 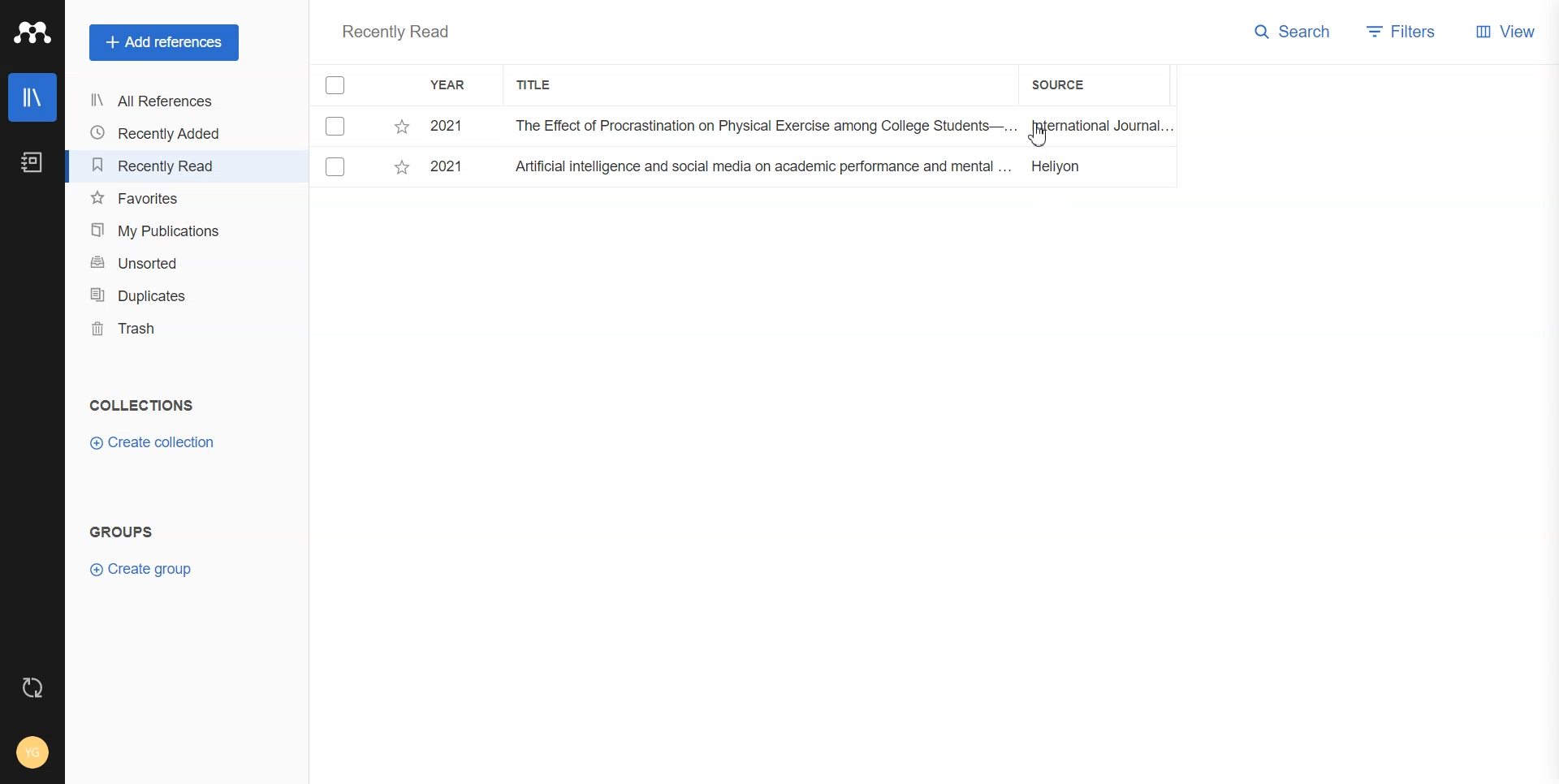 What do you see at coordinates (142, 567) in the screenshot?
I see `Create group` at bounding box center [142, 567].